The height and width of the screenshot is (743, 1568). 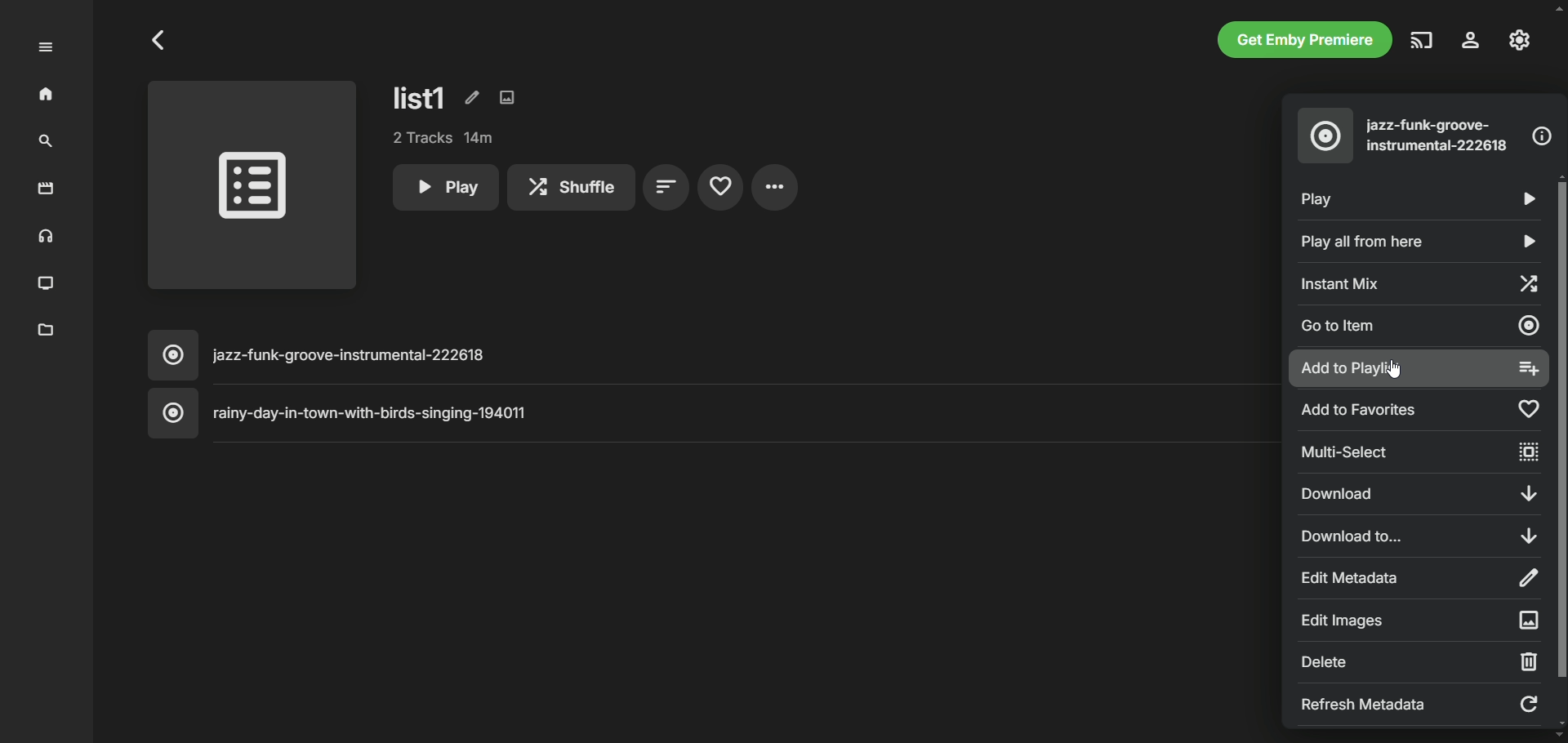 I want to click on download, so click(x=1423, y=493).